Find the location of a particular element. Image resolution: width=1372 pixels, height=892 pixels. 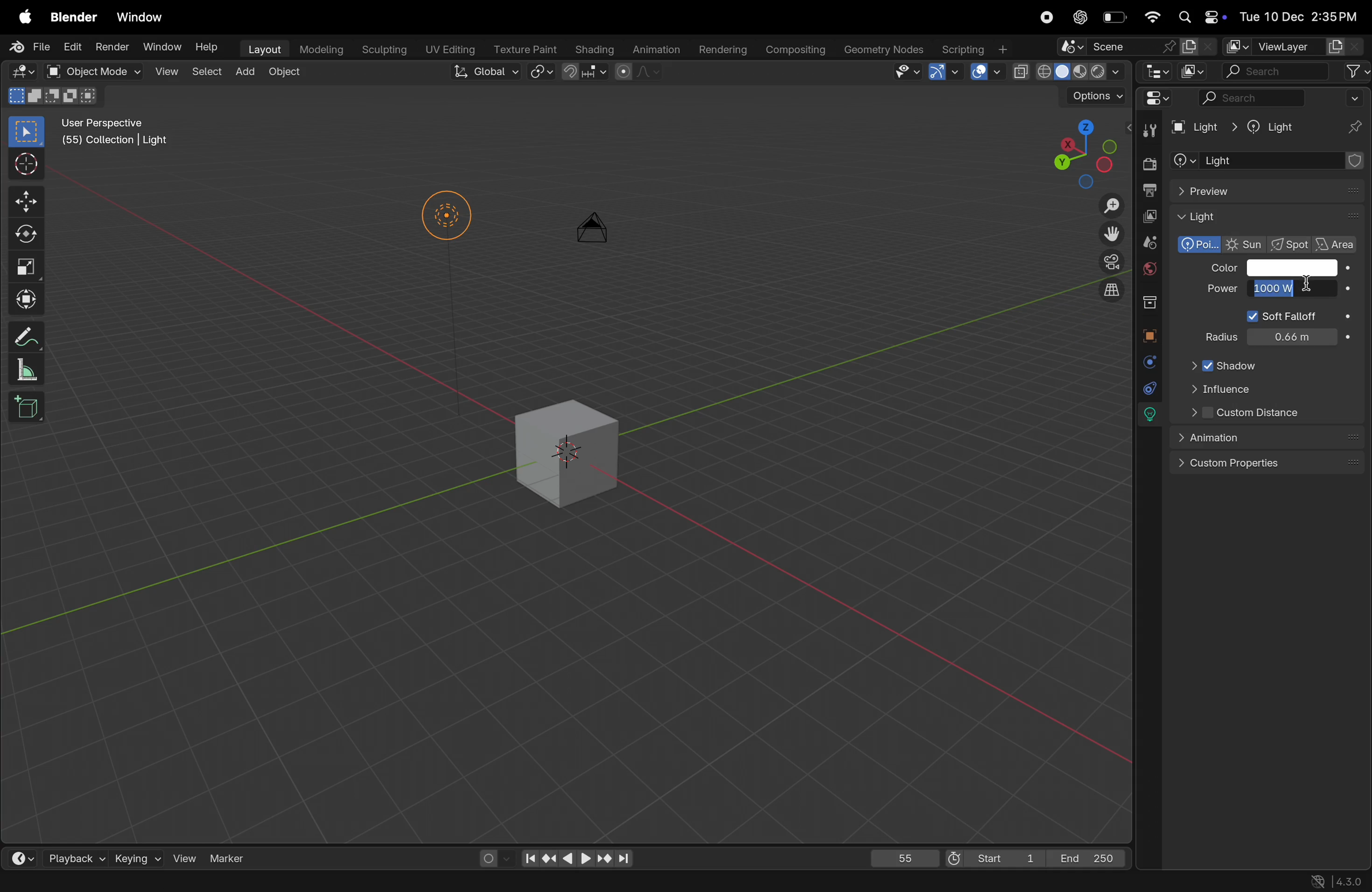

3d cube is located at coordinates (570, 447).